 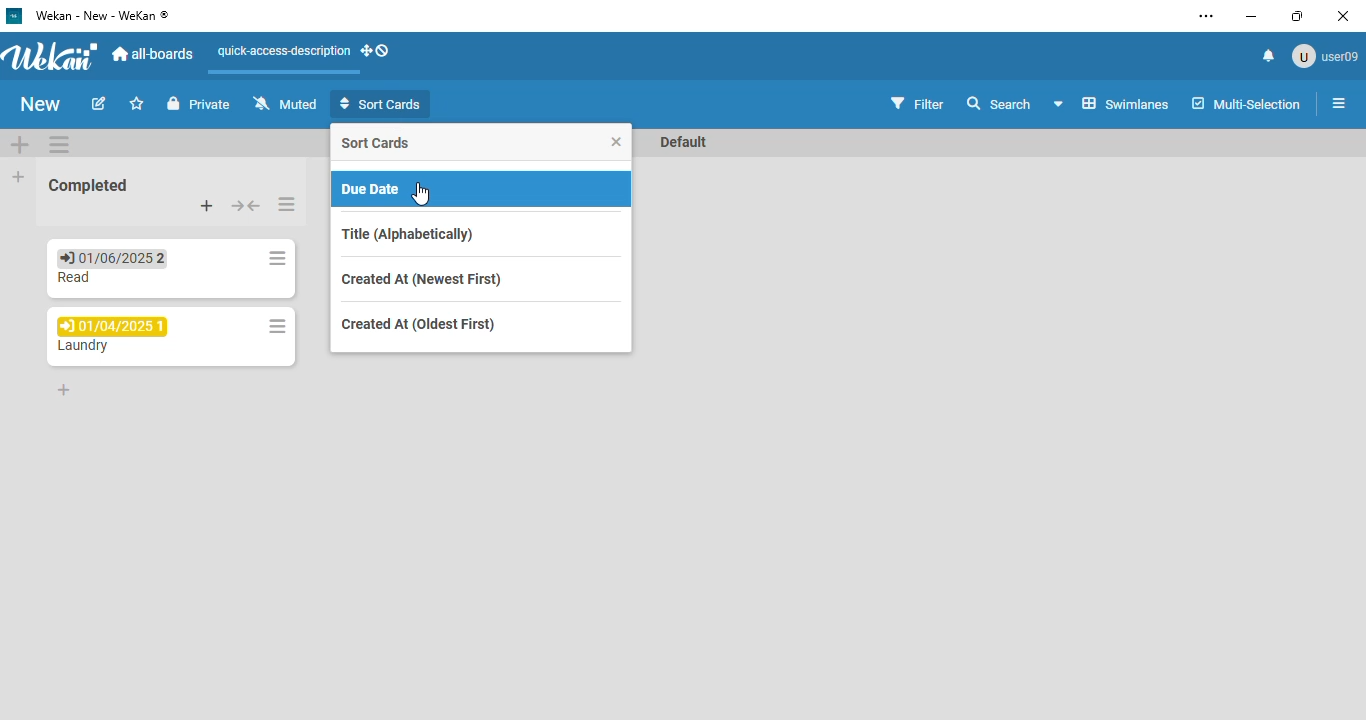 What do you see at coordinates (60, 143) in the screenshot?
I see `swimlane actions` at bounding box center [60, 143].